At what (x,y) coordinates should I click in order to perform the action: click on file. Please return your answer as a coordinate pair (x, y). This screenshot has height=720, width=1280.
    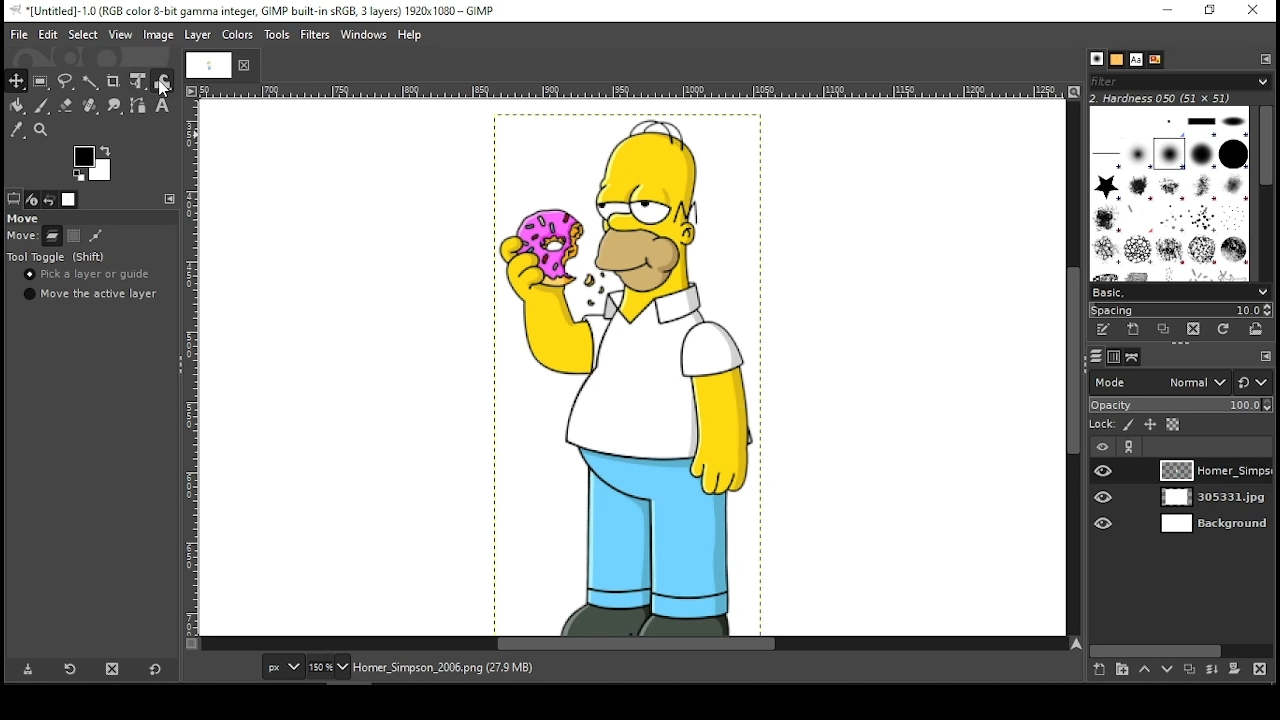
    Looking at the image, I should click on (20, 35).